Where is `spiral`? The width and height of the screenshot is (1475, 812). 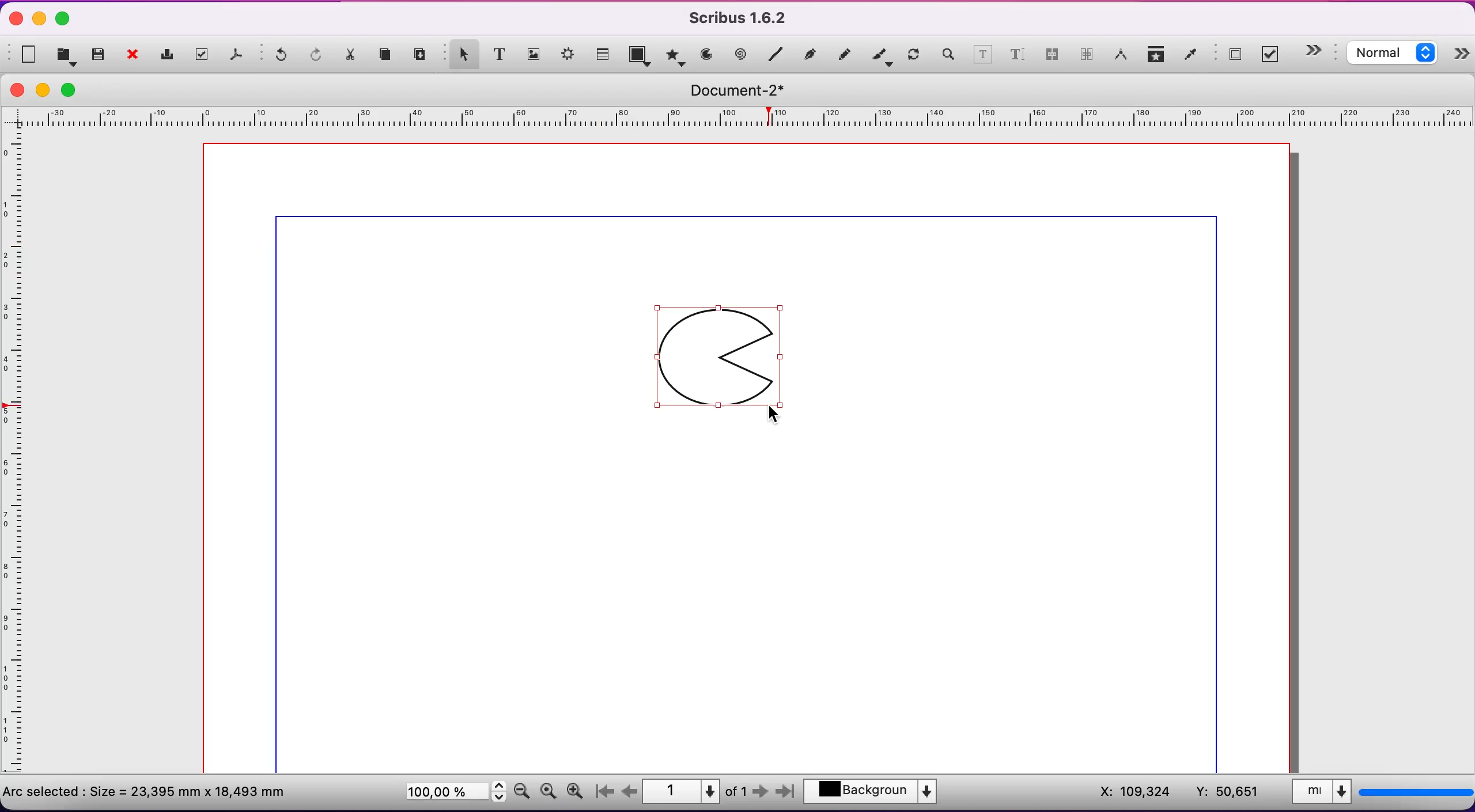
spiral is located at coordinates (742, 55).